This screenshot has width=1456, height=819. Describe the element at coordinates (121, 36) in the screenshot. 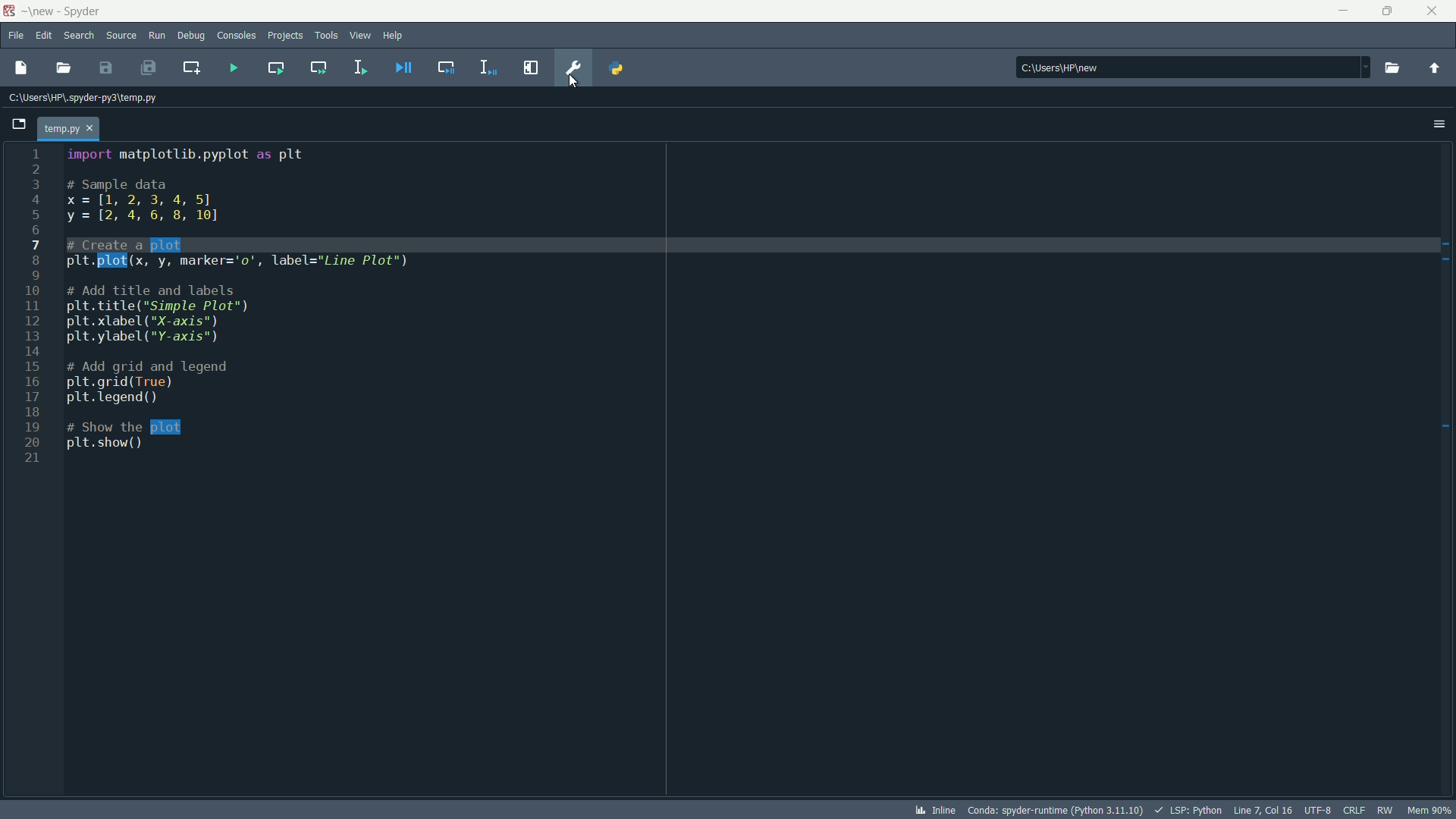

I see `source` at that location.